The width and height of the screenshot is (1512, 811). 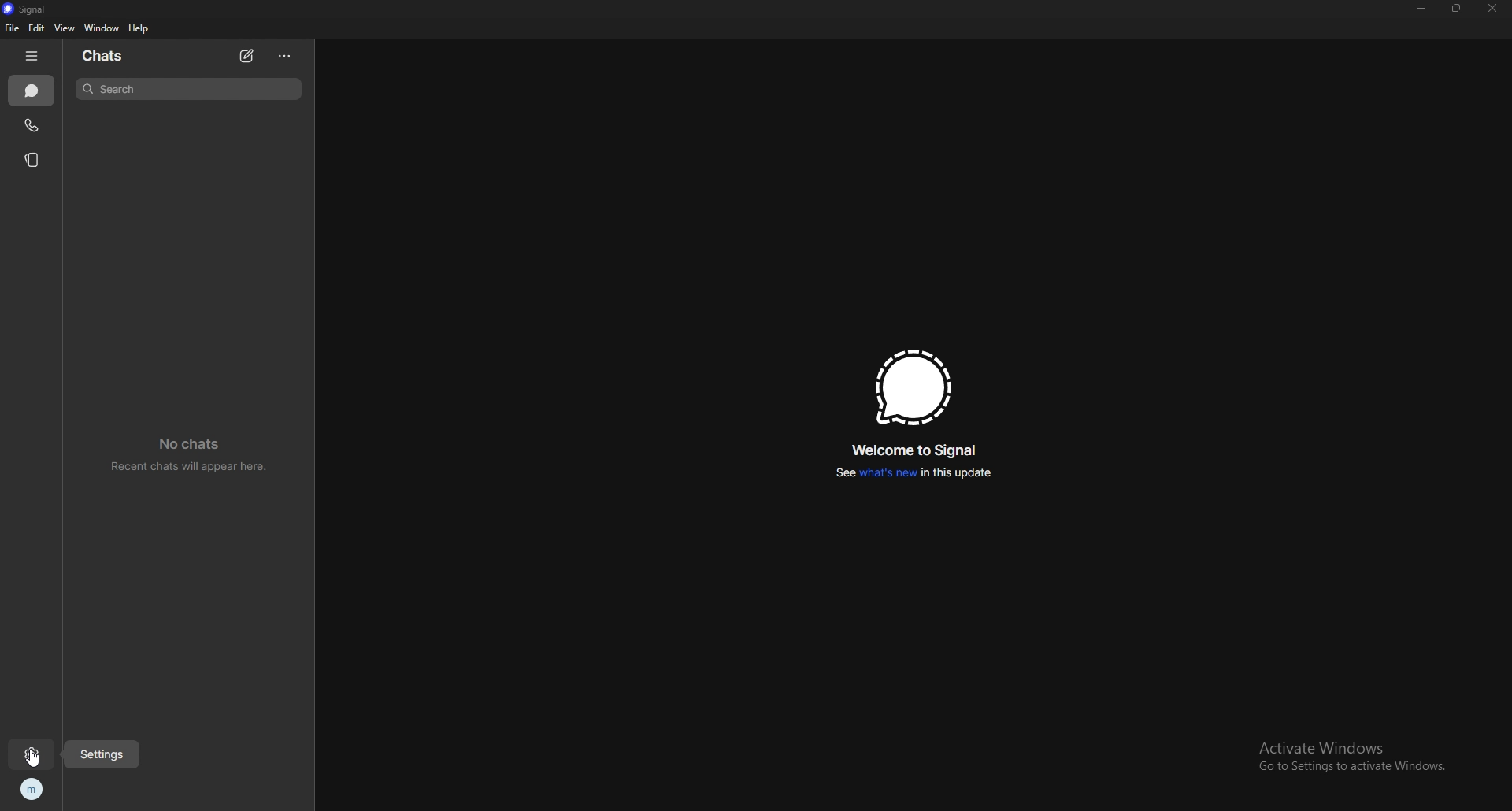 What do you see at coordinates (31, 754) in the screenshot?
I see `settings` at bounding box center [31, 754].